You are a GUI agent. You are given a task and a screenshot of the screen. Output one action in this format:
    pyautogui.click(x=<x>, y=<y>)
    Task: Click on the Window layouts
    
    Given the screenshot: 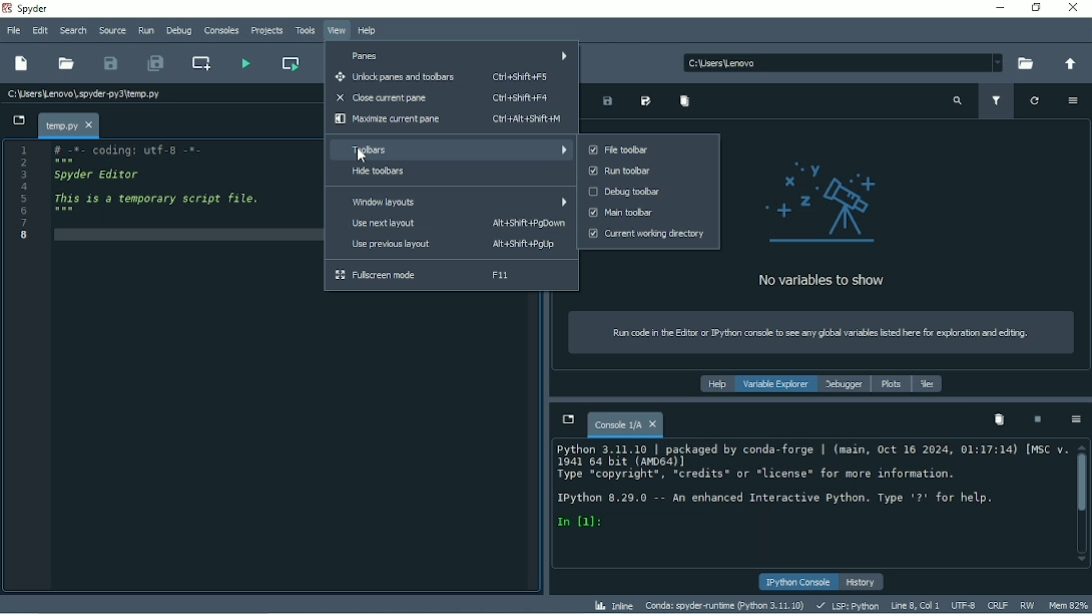 What is the action you would take?
    pyautogui.click(x=452, y=203)
    